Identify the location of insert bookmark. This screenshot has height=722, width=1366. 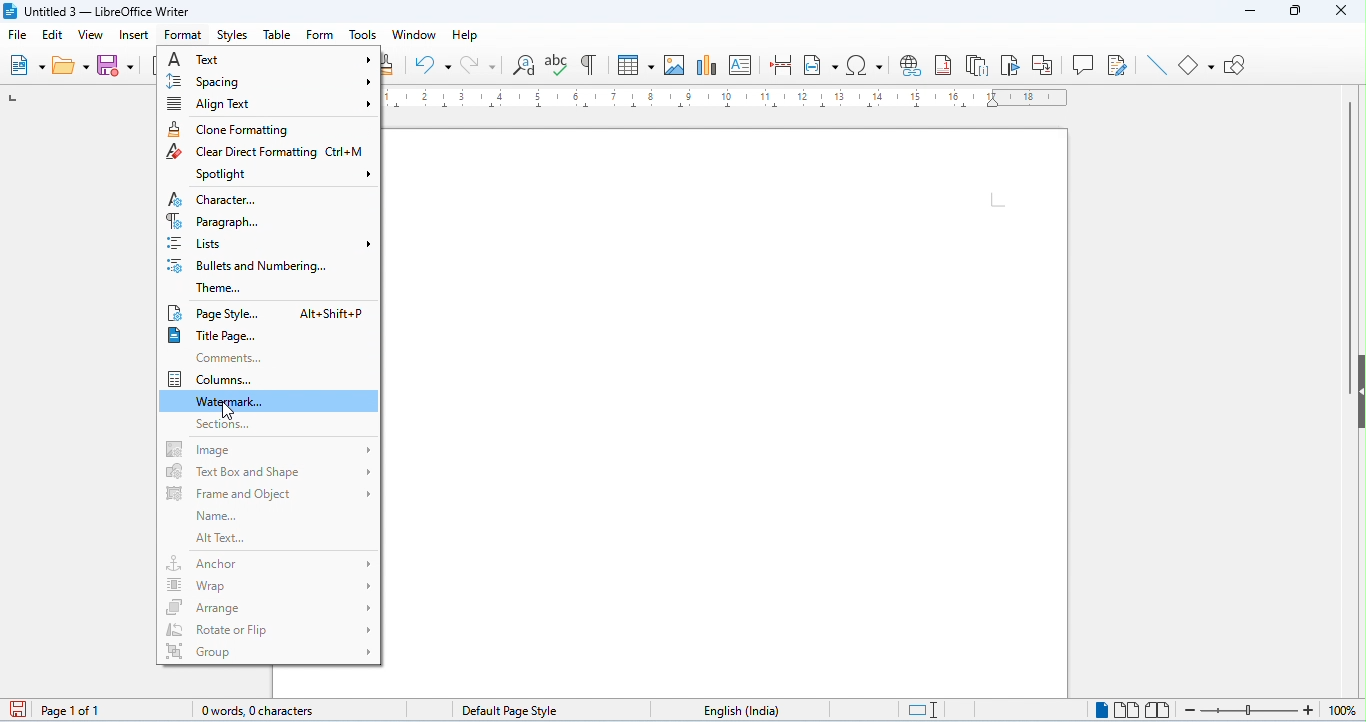
(1012, 65).